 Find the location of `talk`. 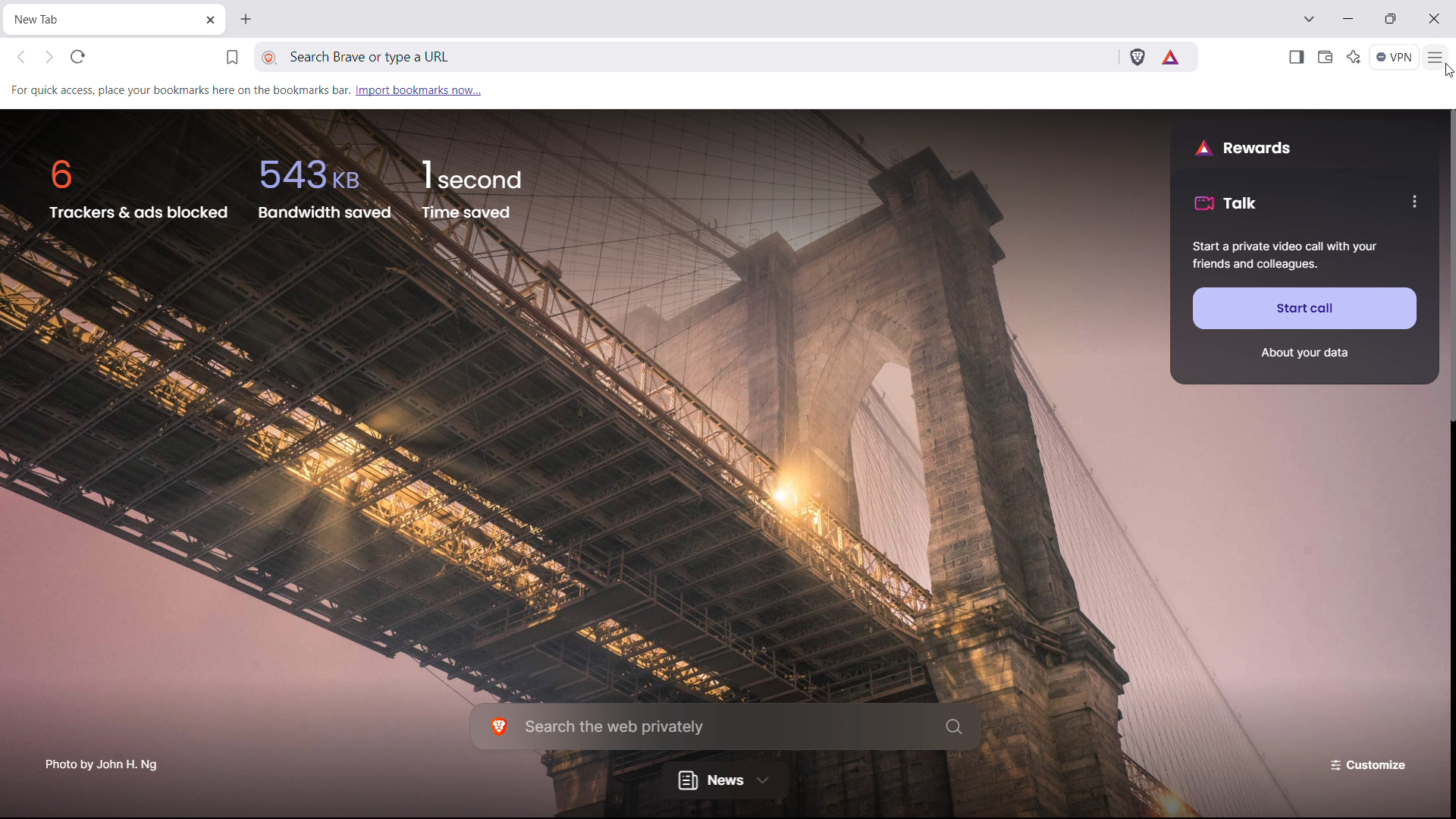

talk is located at coordinates (1226, 203).